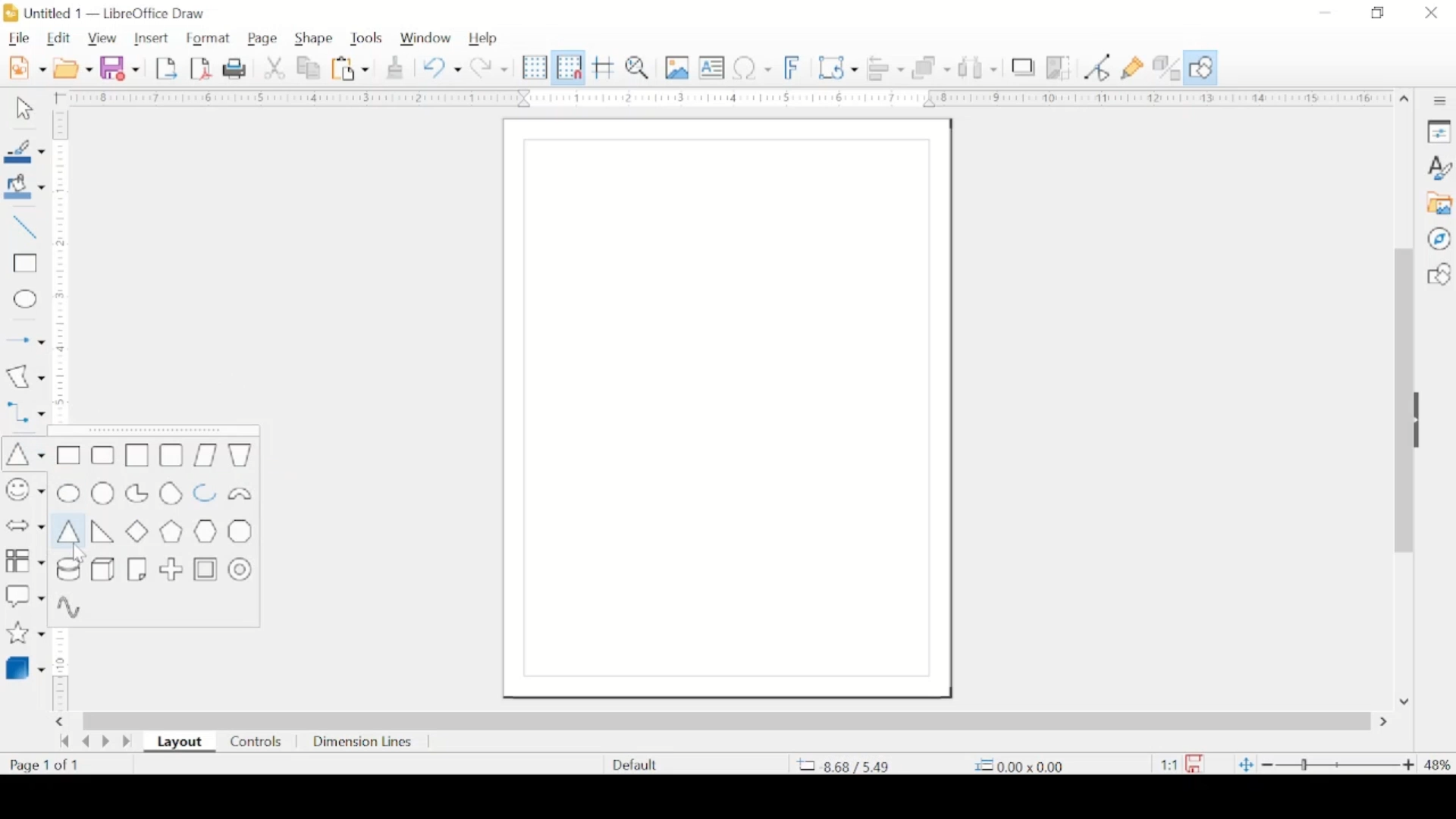 The width and height of the screenshot is (1456, 819). Describe the element at coordinates (127, 742) in the screenshot. I see `last page` at that location.